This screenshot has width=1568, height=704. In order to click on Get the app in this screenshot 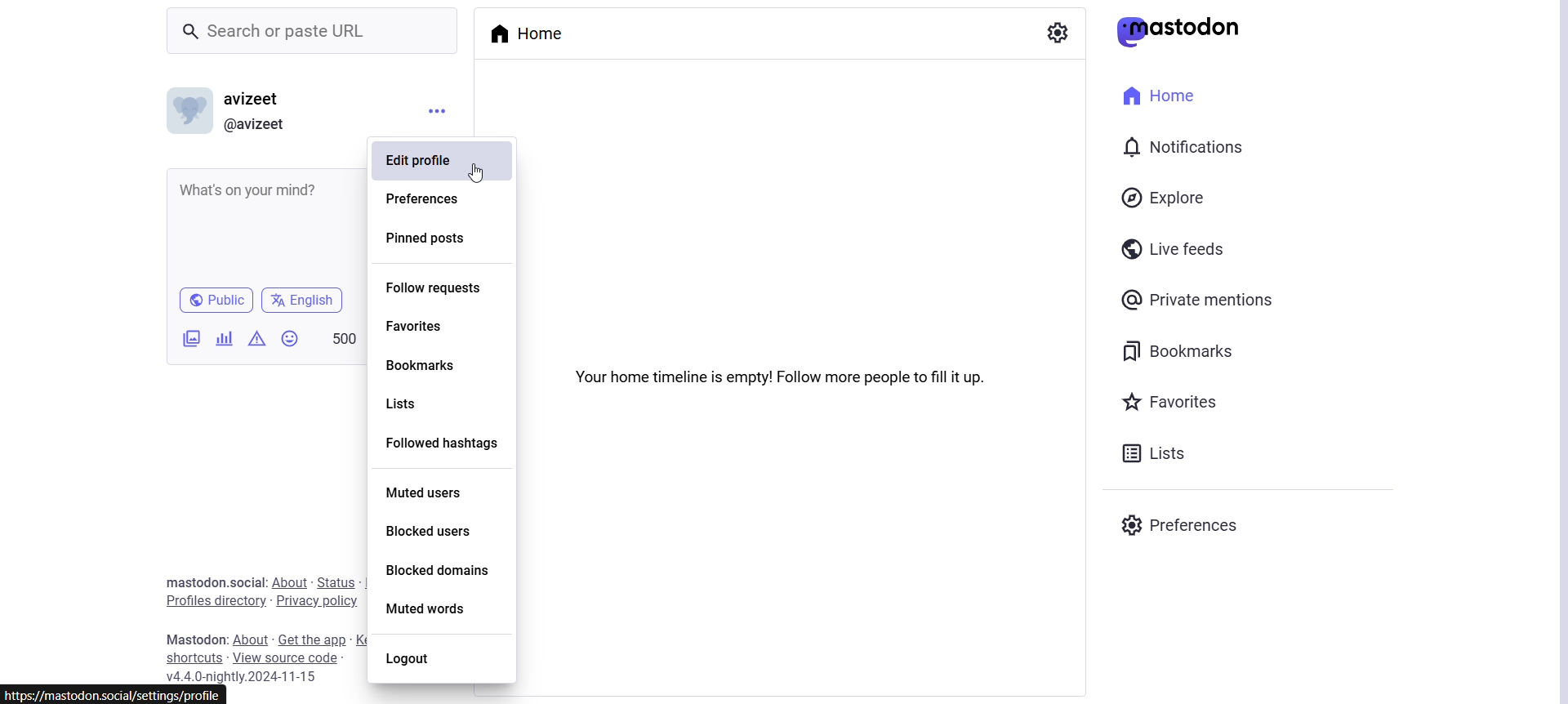, I will do `click(311, 639)`.